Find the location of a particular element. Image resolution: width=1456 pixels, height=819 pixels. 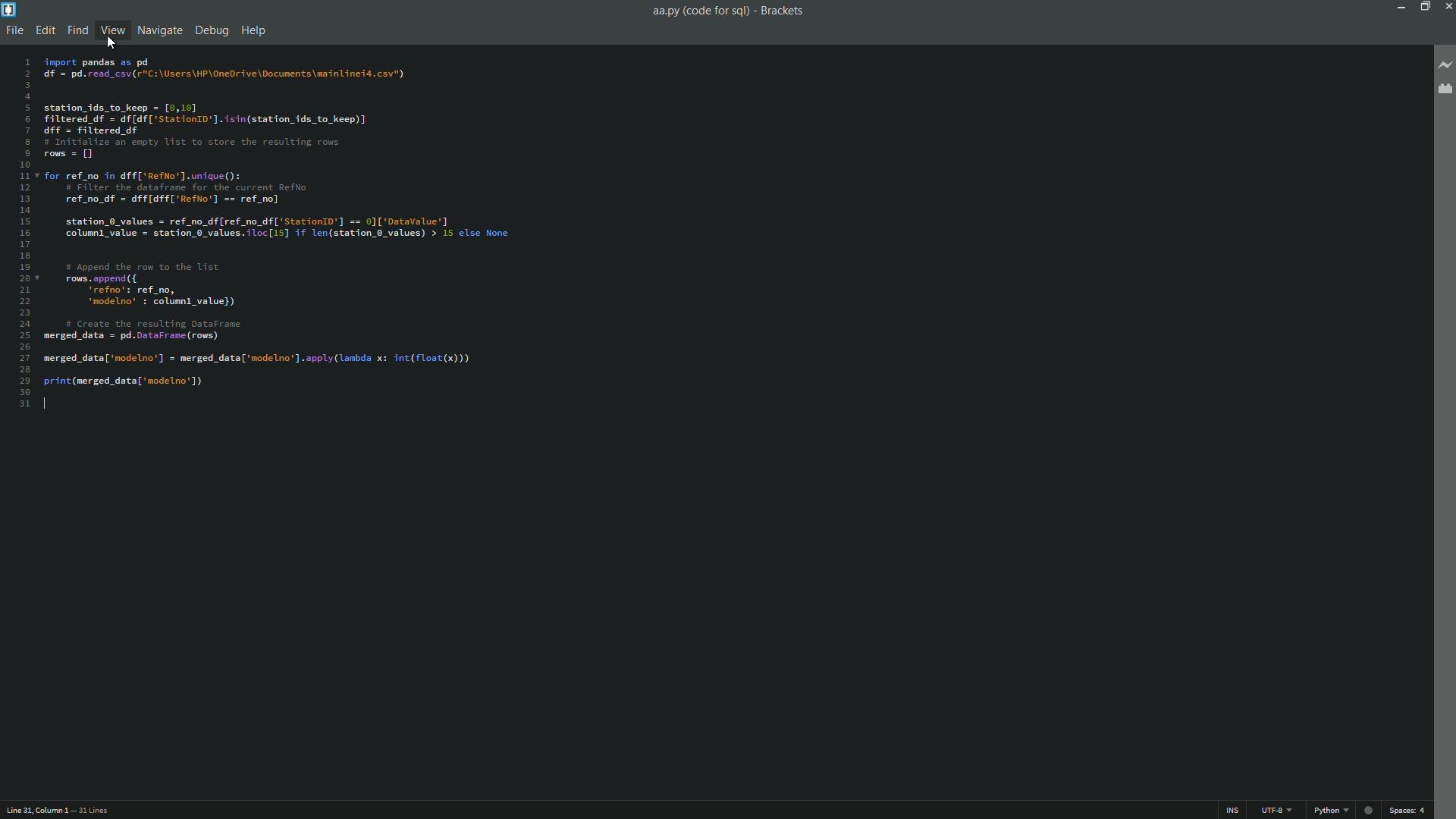

close app is located at coordinates (1447, 7).